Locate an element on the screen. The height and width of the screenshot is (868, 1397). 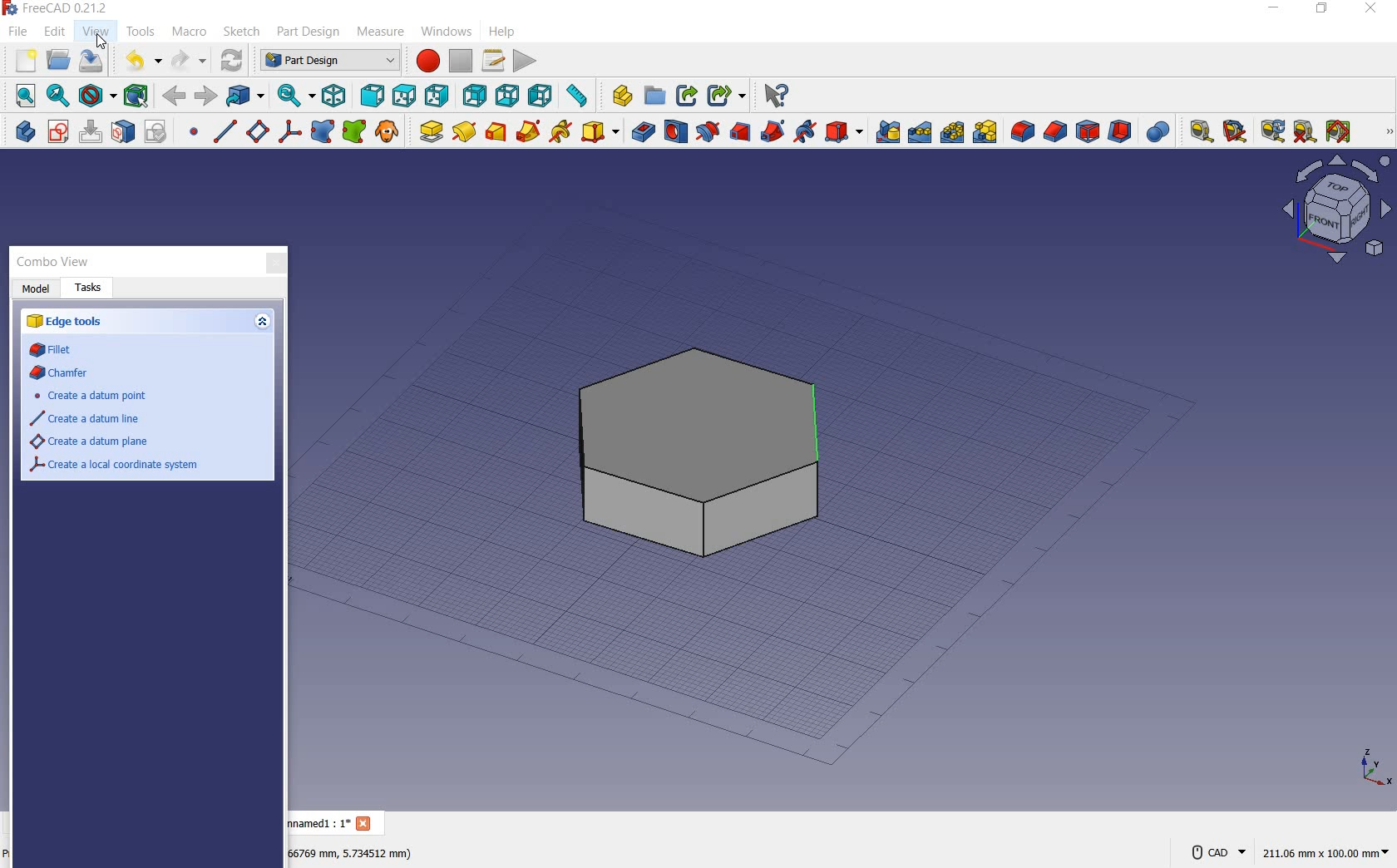
thickness is located at coordinates (1121, 133).